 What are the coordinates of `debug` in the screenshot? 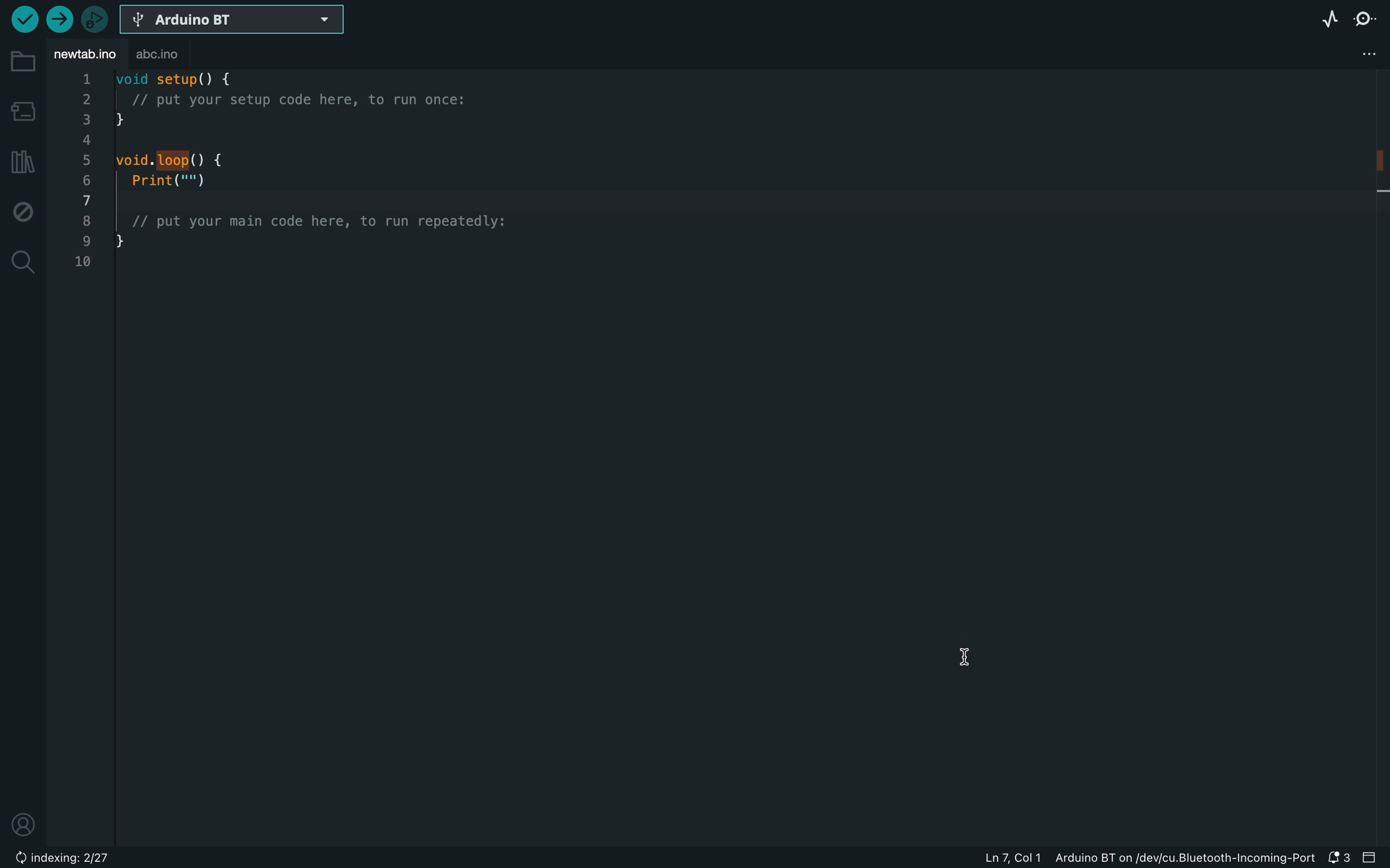 It's located at (22, 209).